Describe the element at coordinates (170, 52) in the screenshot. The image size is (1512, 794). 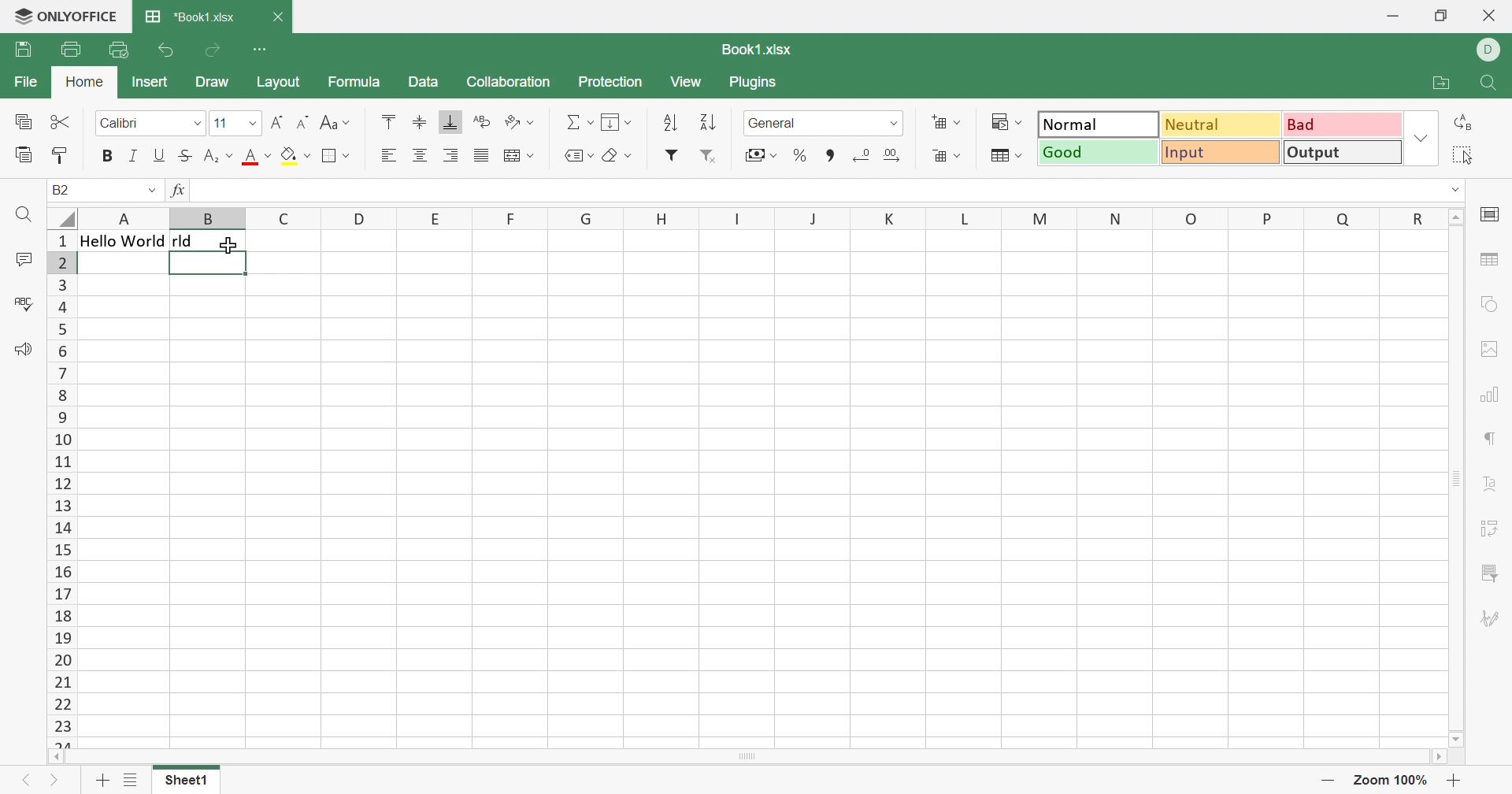
I see `Undo` at that location.